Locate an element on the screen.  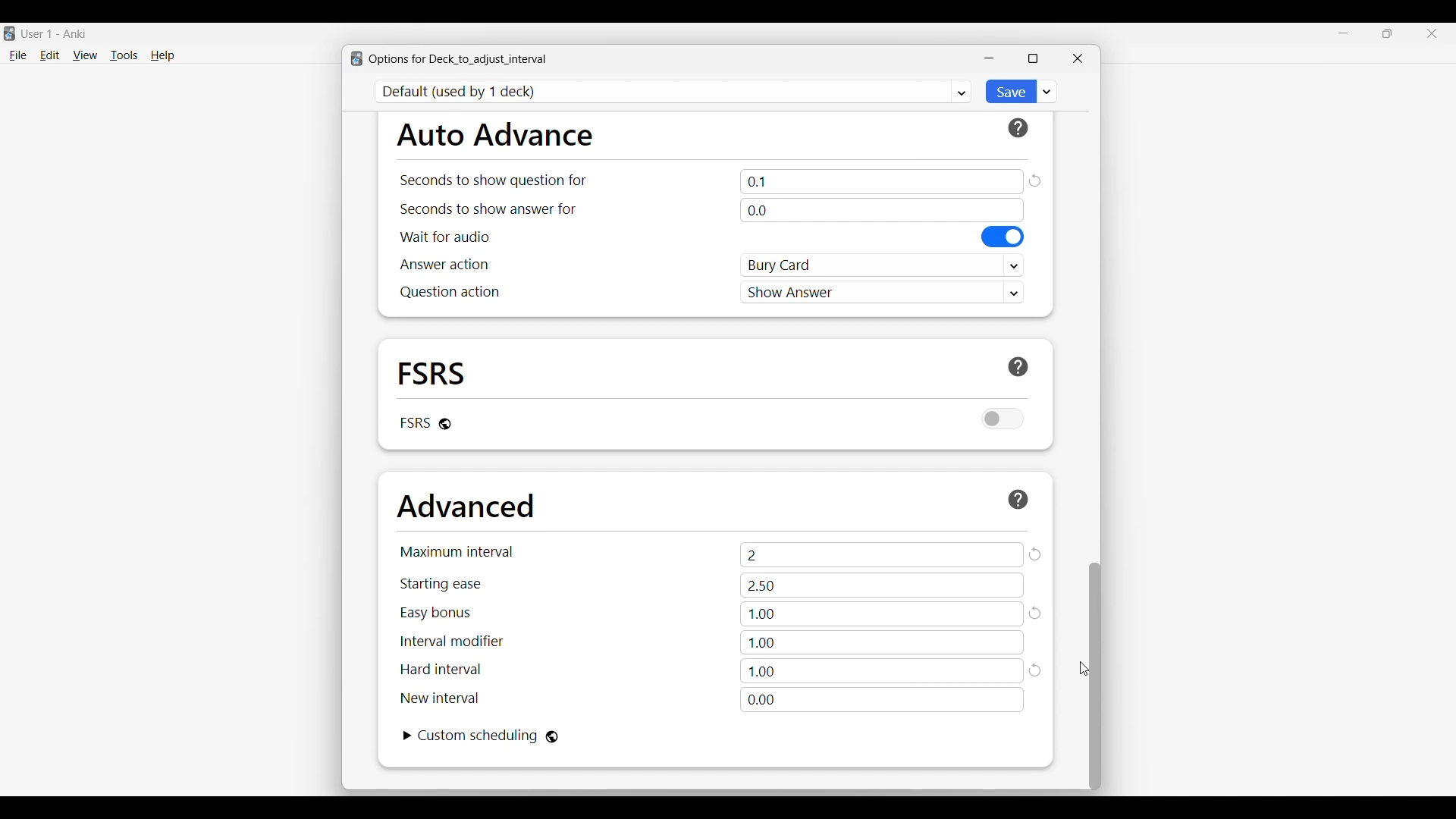
Tools menu is located at coordinates (124, 55).